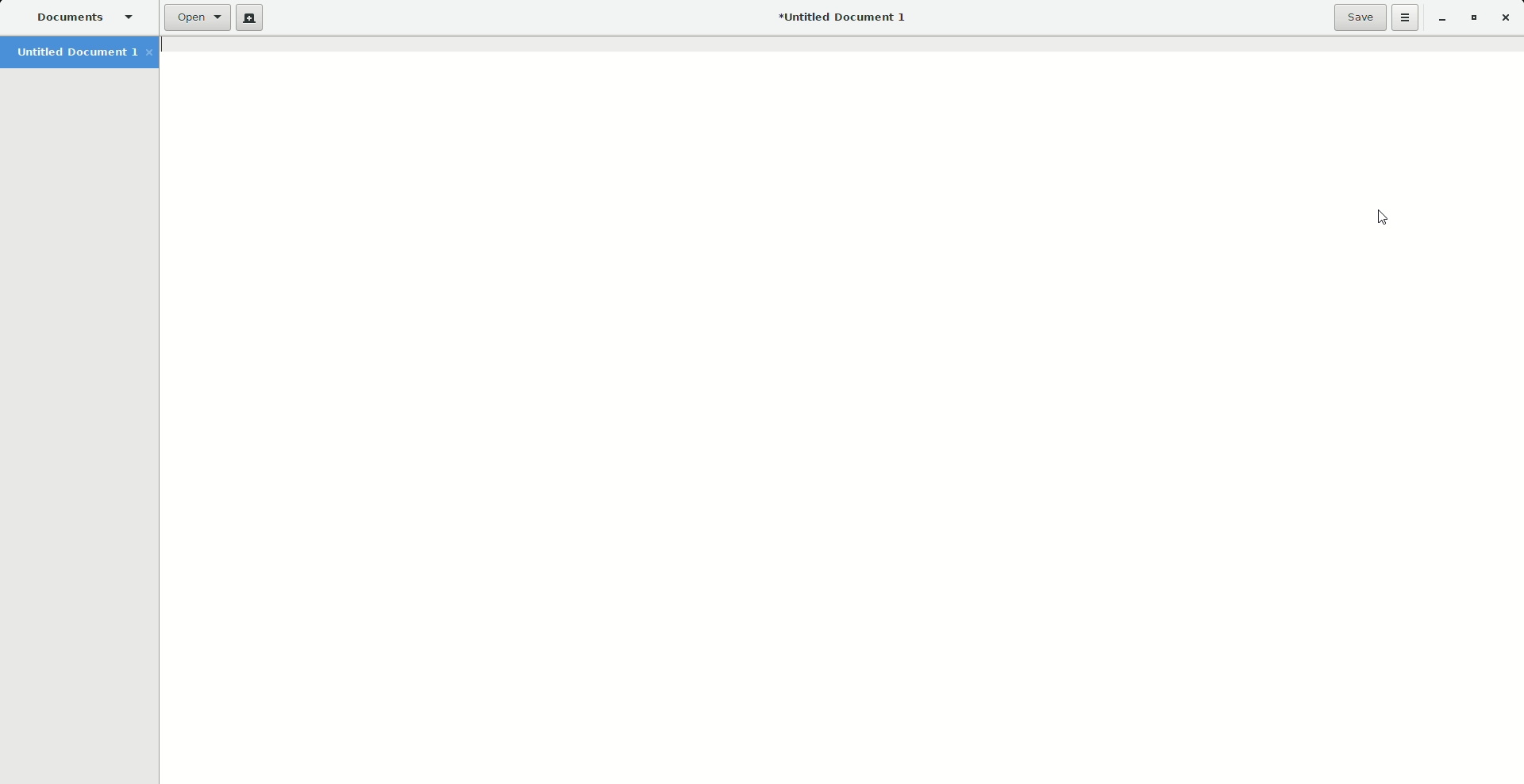 The height and width of the screenshot is (784, 1524). What do you see at coordinates (1406, 18) in the screenshot?
I see `Options` at bounding box center [1406, 18].